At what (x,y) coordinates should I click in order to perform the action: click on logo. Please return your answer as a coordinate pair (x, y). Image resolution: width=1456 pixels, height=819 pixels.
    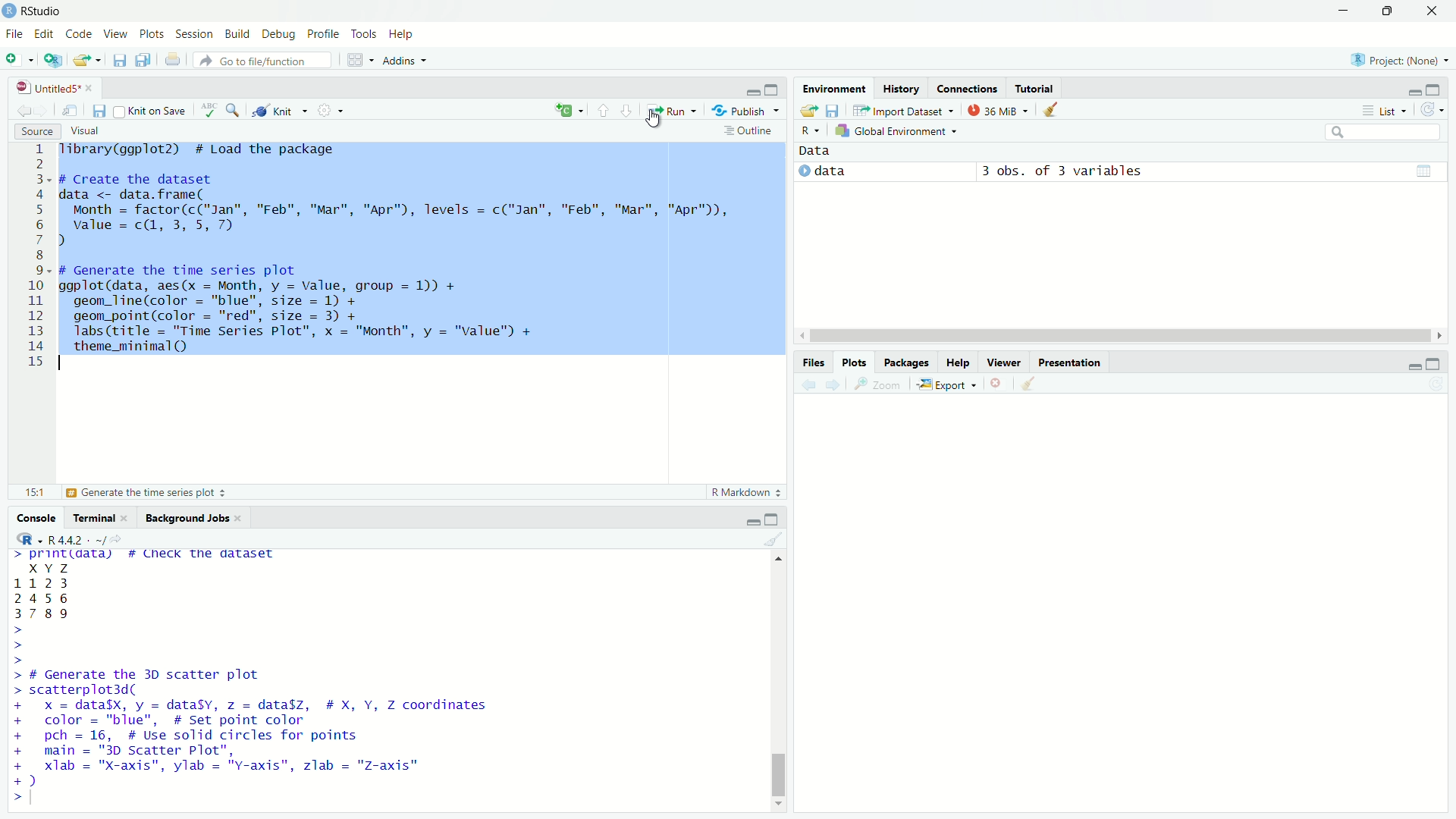
    Looking at the image, I should click on (9, 11).